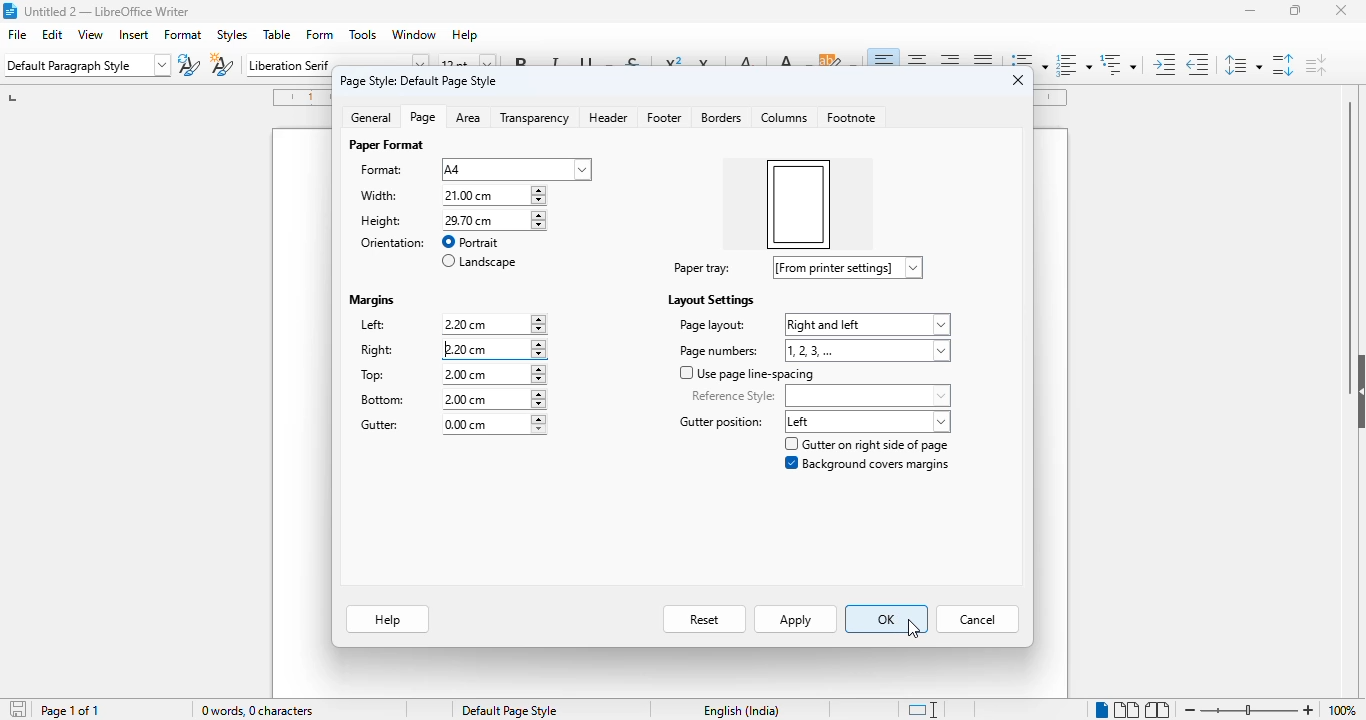  What do you see at coordinates (914, 629) in the screenshot?
I see `cursor` at bounding box center [914, 629].